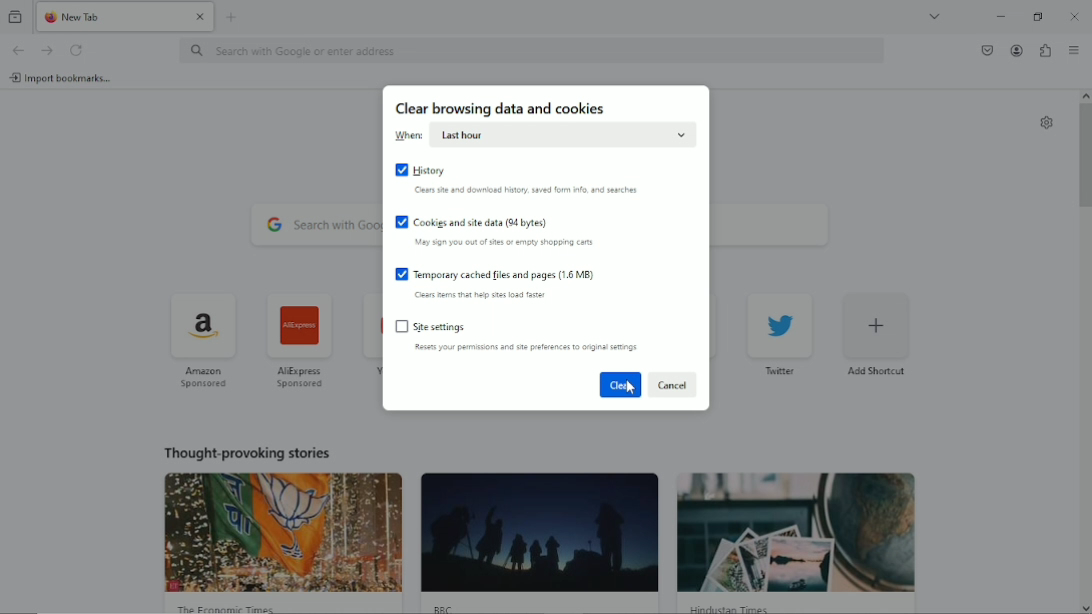 Image resolution: width=1092 pixels, height=614 pixels. Describe the element at coordinates (446, 607) in the screenshot. I see `BBC` at that location.